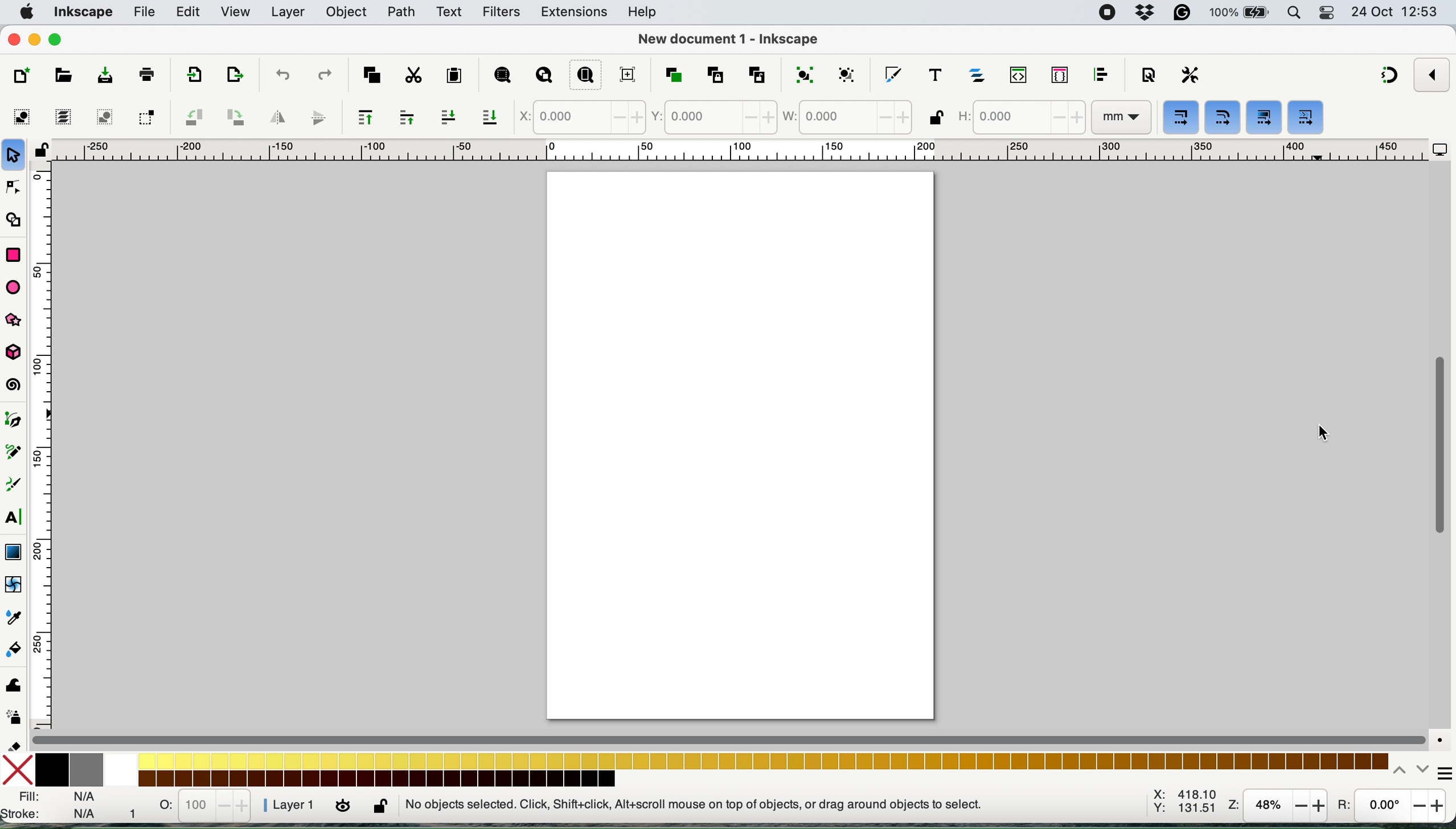 This screenshot has height=829, width=1456. What do you see at coordinates (1439, 150) in the screenshot?
I see `display options` at bounding box center [1439, 150].